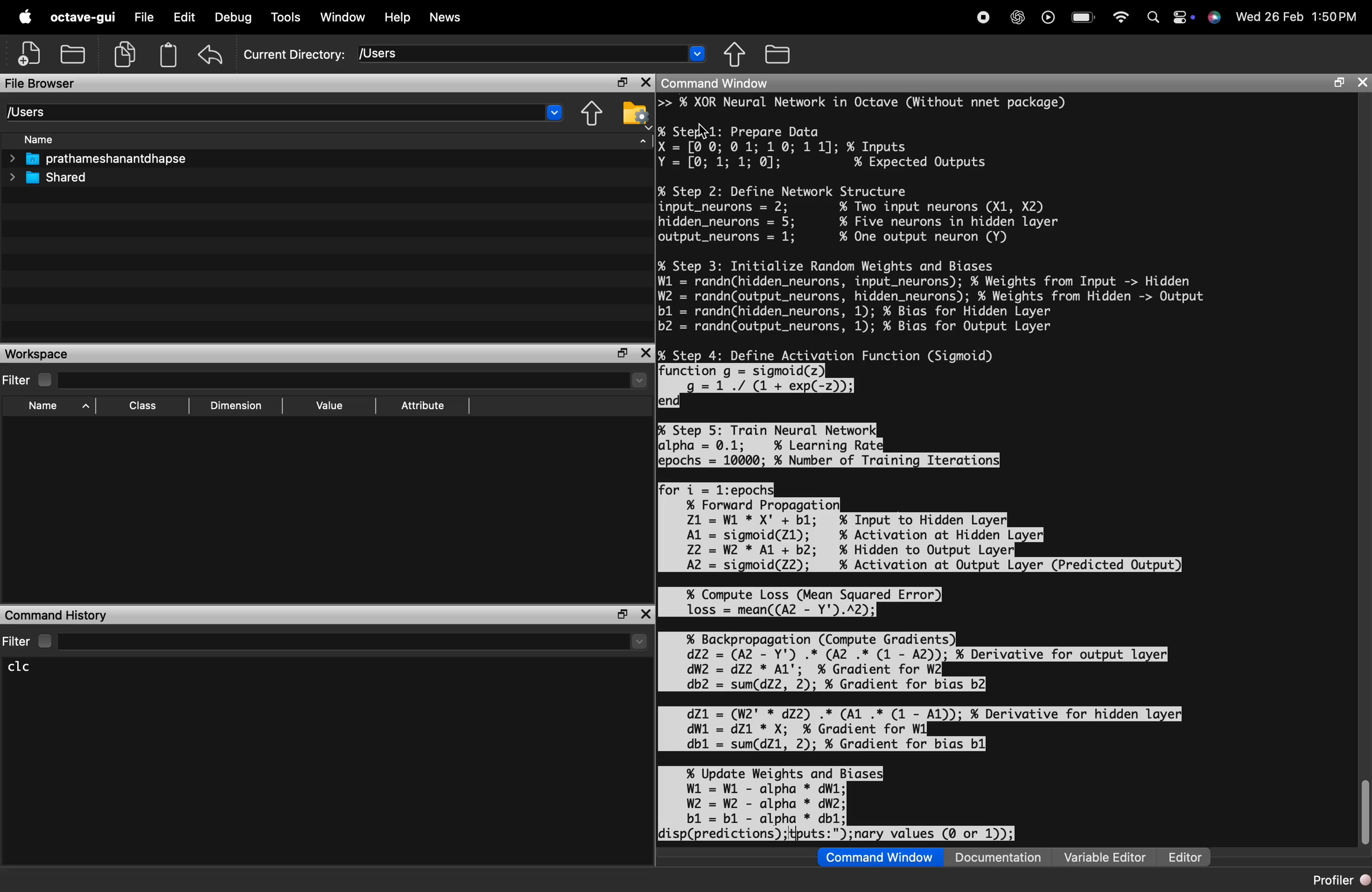 Image resolution: width=1372 pixels, height=892 pixels. What do you see at coordinates (594, 113) in the screenshot?
I see `one directory up` at bounding box center [594, 113].